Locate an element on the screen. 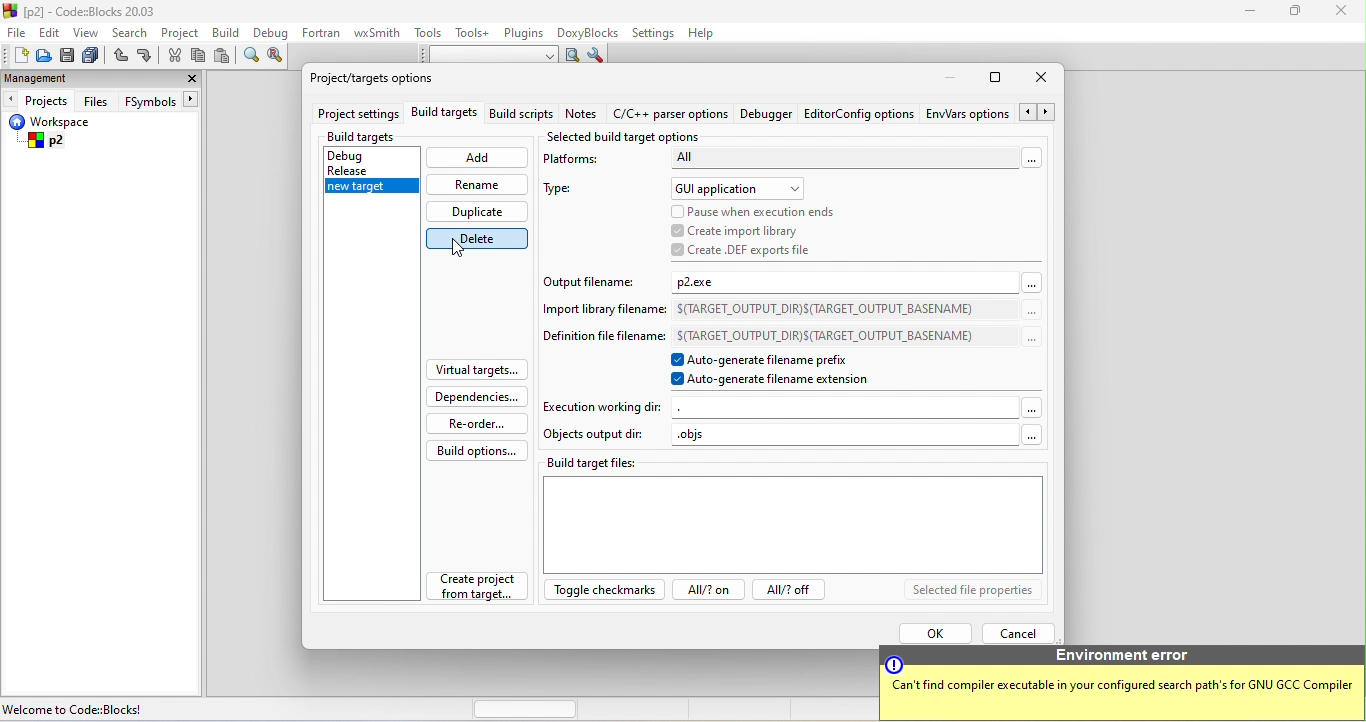 The width and height of the screenshot is (1366, 722). create project from target is located at coordinates (479, 589).